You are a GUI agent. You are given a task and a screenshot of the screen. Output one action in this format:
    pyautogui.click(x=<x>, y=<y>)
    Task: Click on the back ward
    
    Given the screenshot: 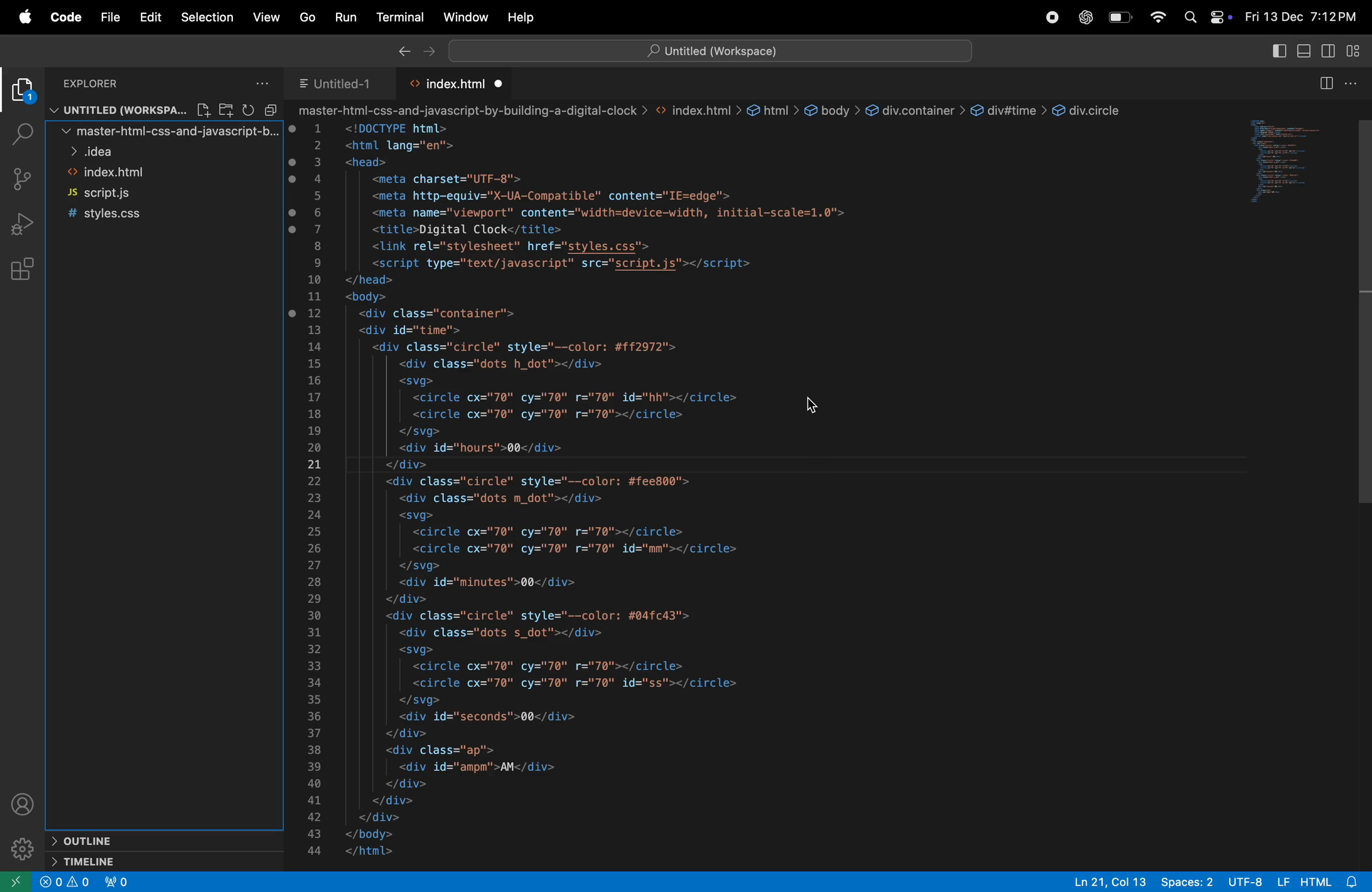 What is the action you would take?
    pyautogui.click(x=402, y=52)
    